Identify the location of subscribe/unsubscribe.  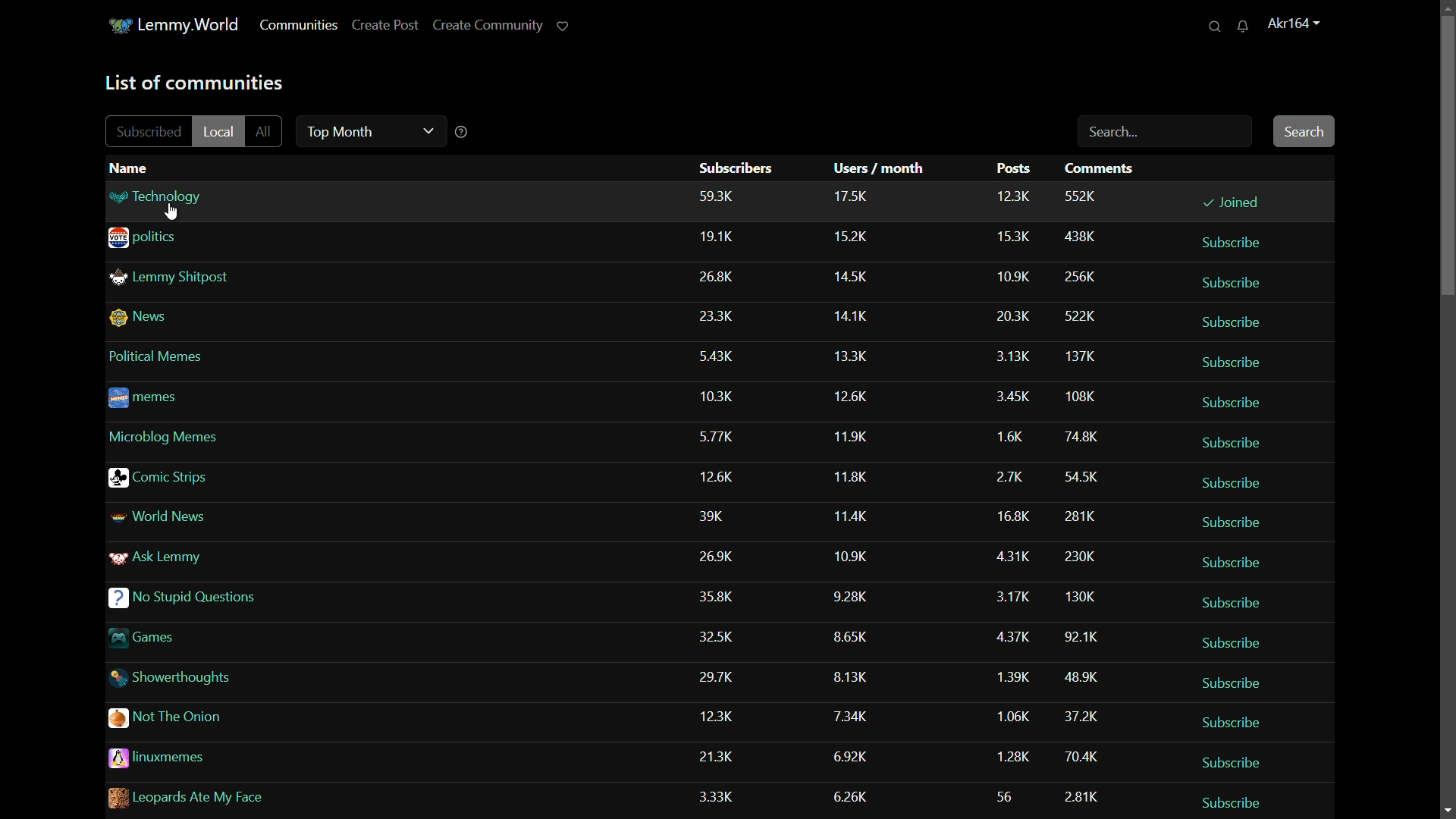
(1233, 763).